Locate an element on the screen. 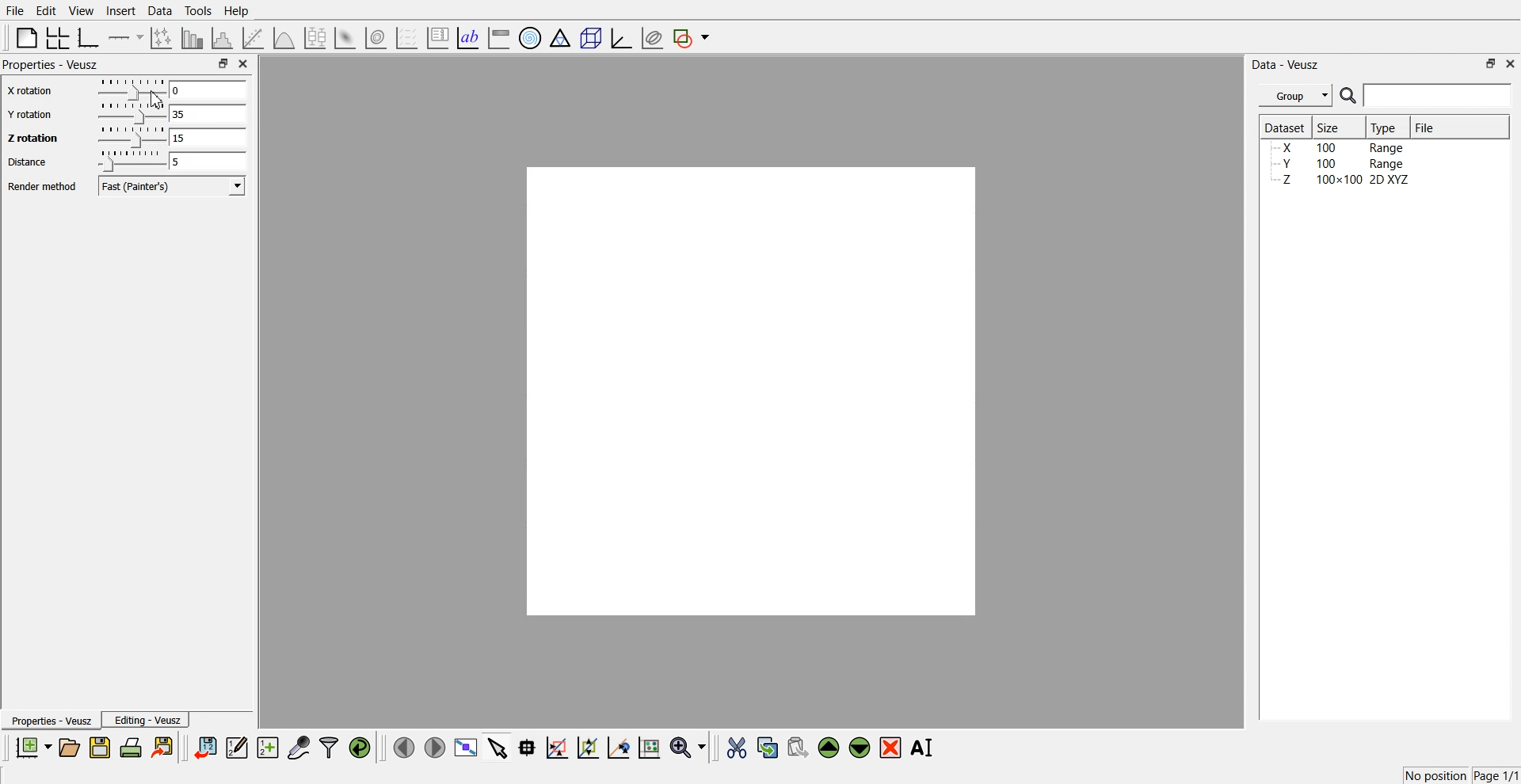  Import dataset from veusz is located at coordinates (205, 747).